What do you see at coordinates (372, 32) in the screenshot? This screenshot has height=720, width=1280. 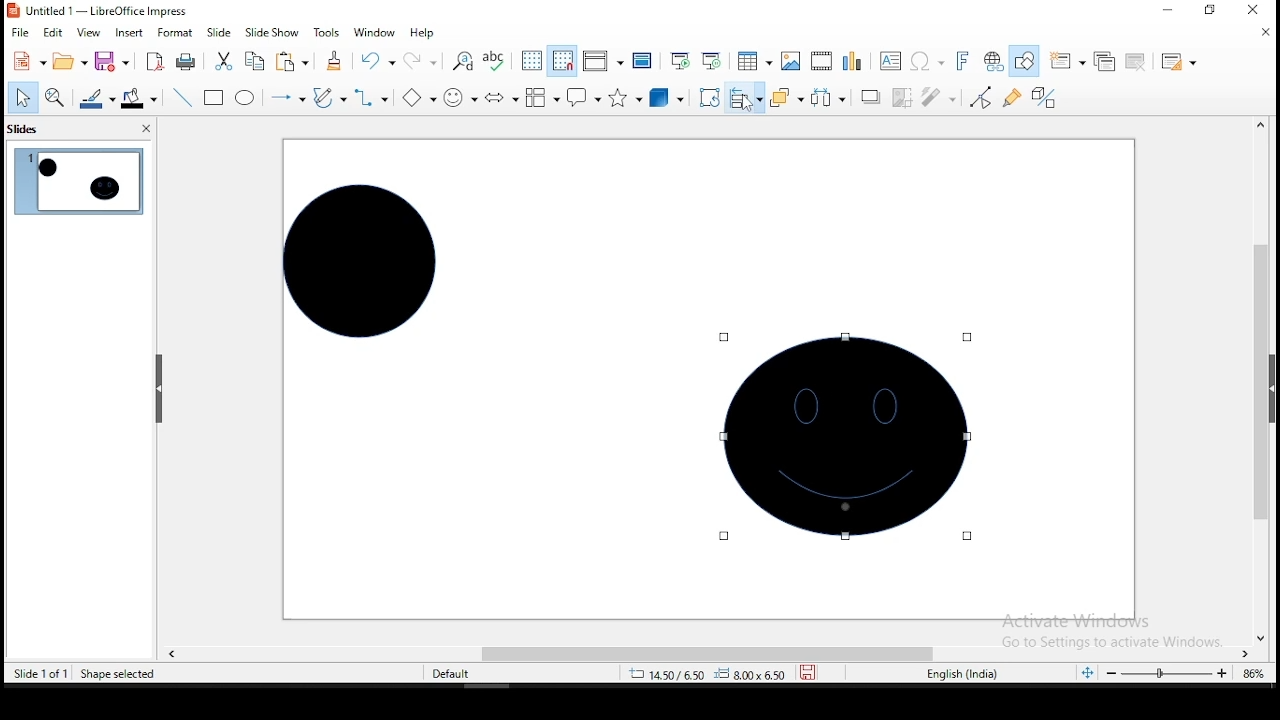 I see `window` at bounding box center [372, 32].